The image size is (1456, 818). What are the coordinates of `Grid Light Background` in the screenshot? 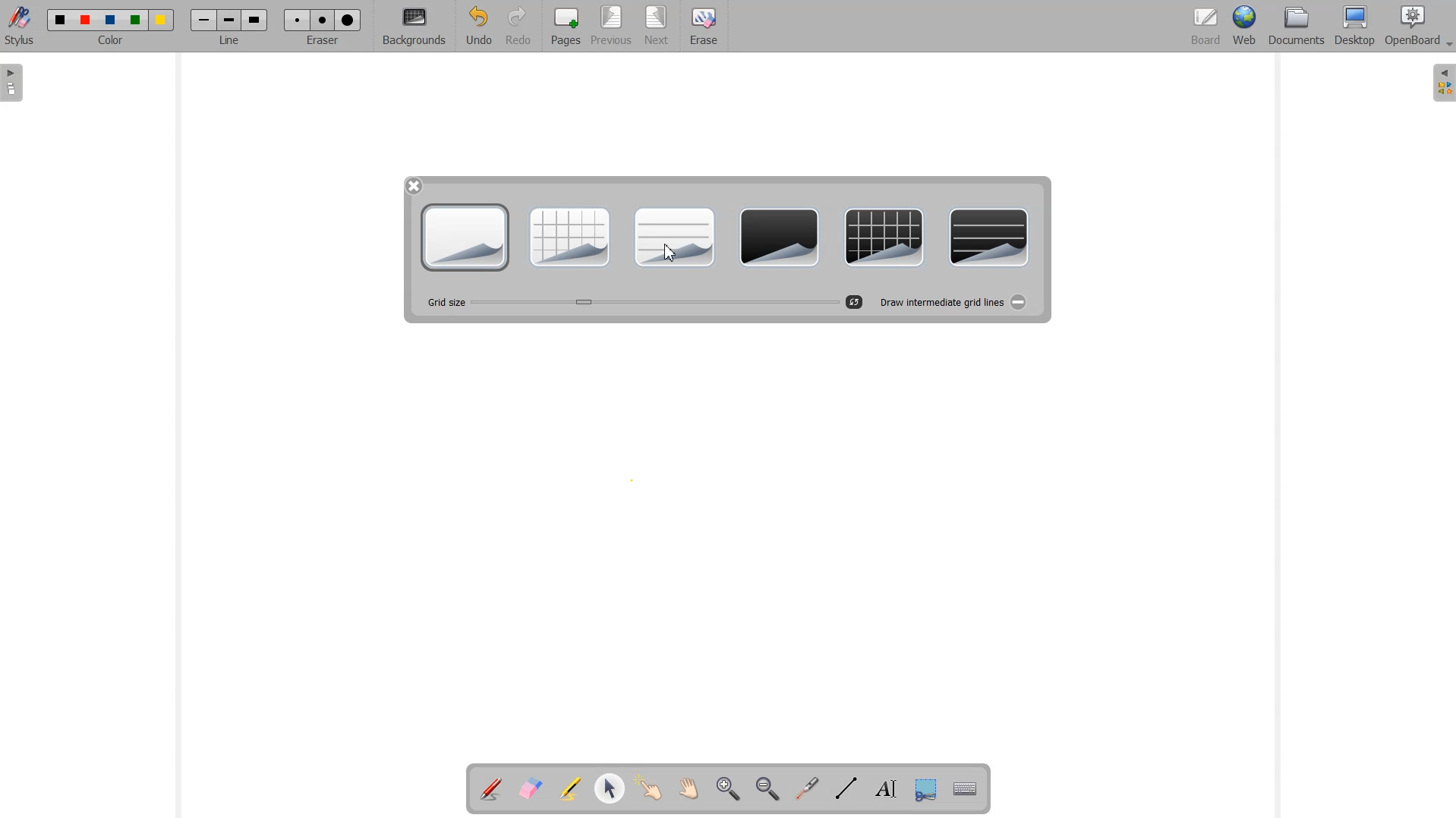 It's located at (569, 237).